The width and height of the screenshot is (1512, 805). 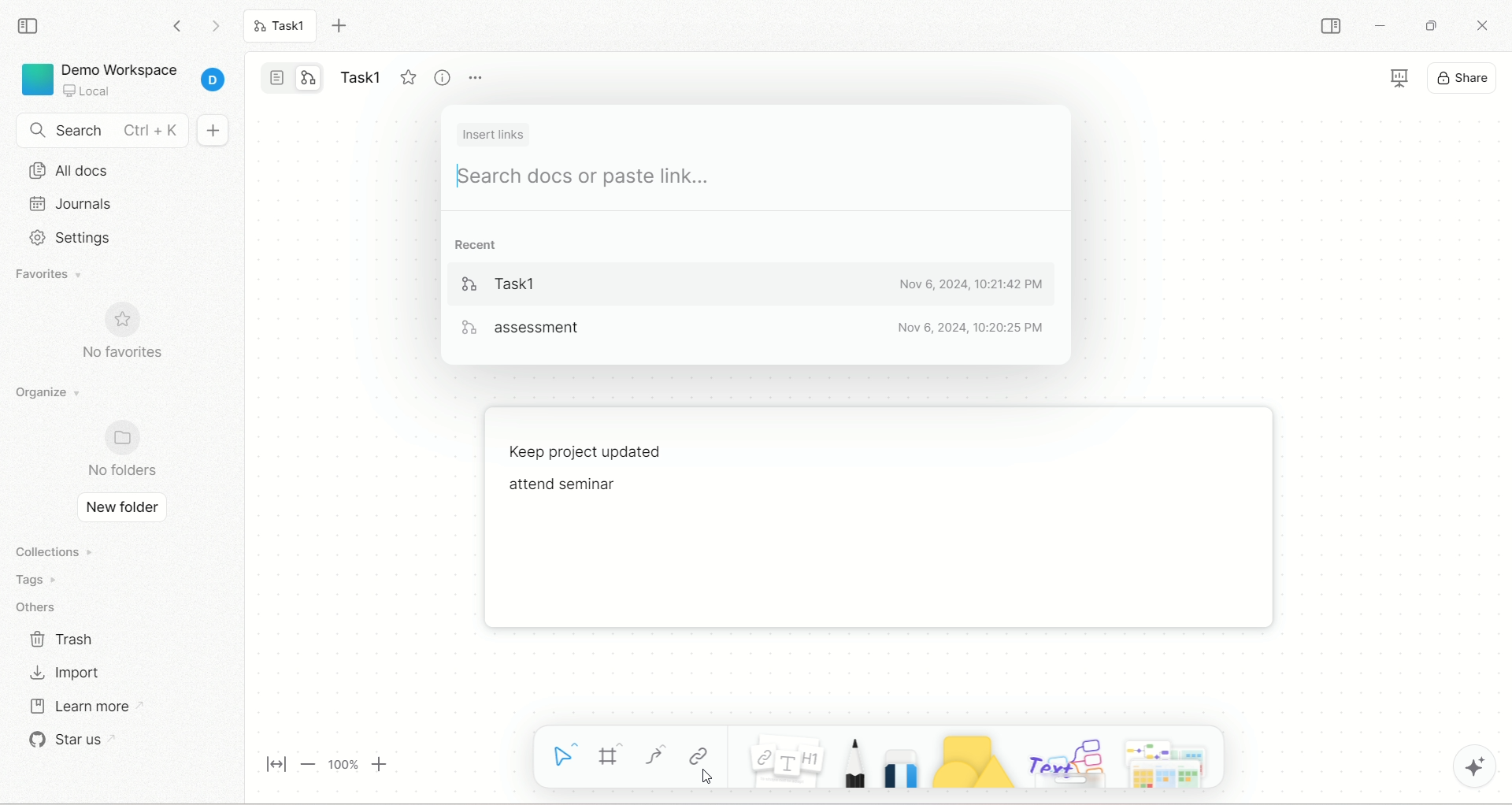 I want to click on minimize, so click(x=1382, y=28).